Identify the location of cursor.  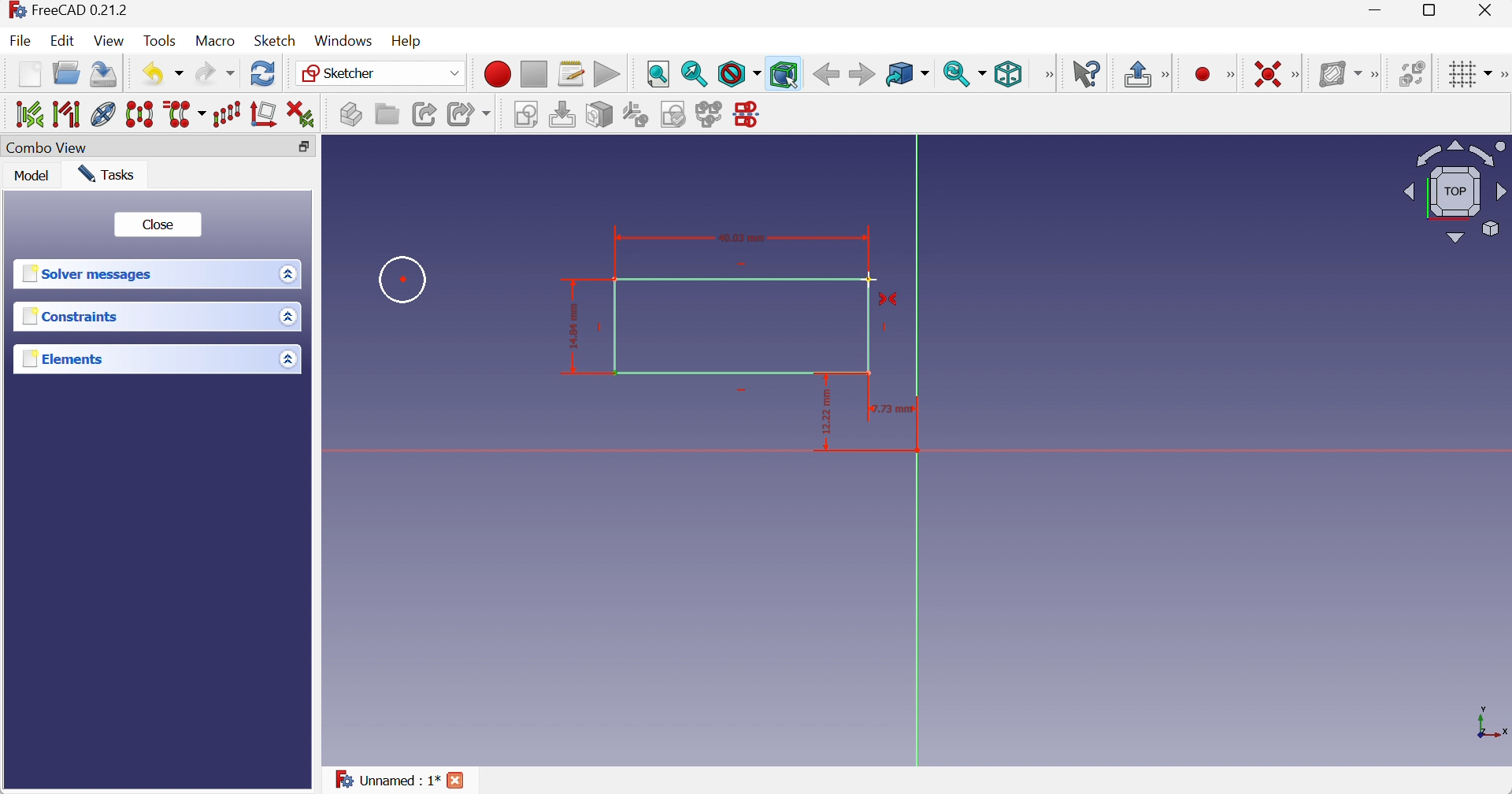
(791, 82).